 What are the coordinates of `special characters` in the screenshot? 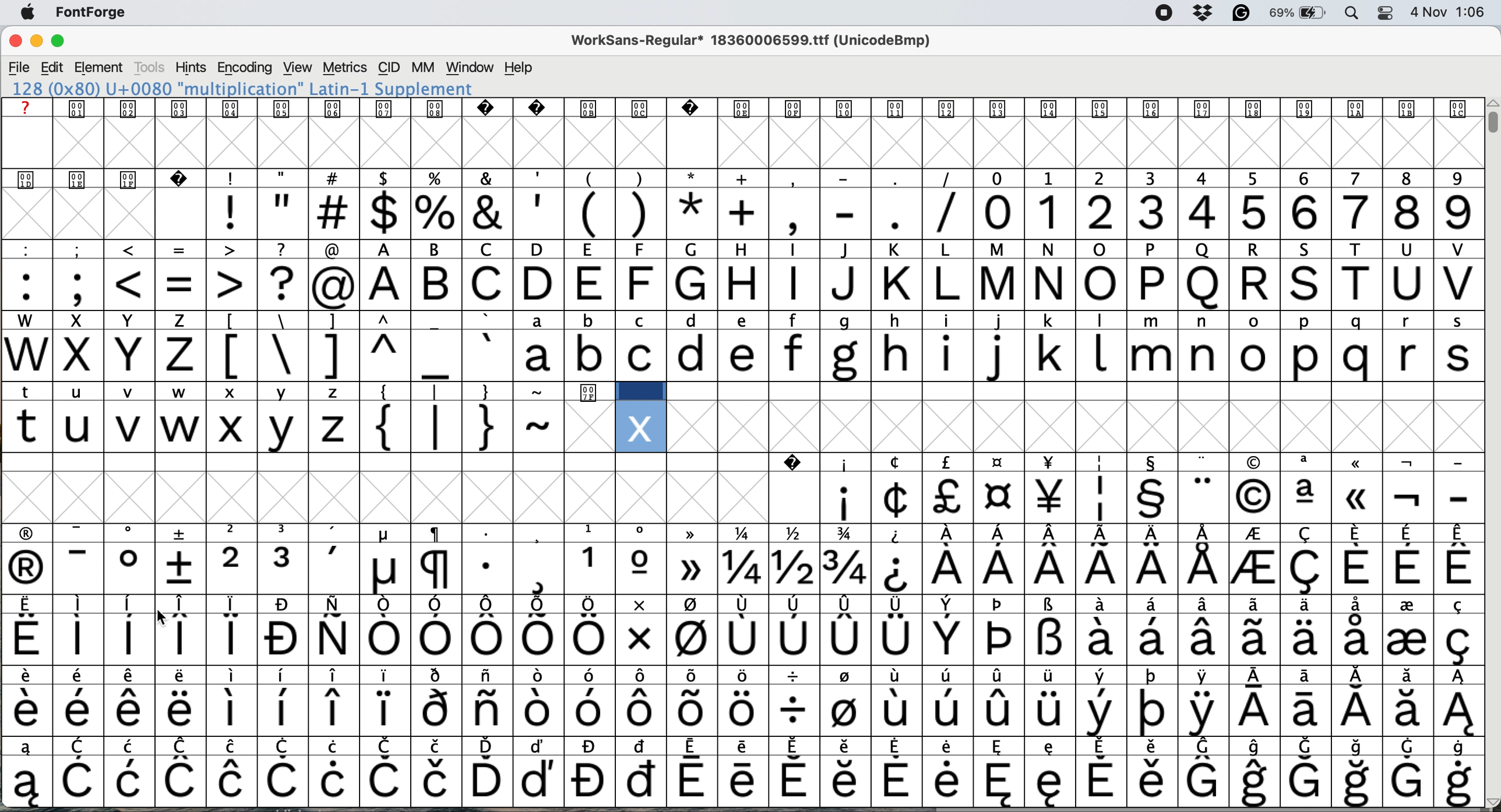 It's located at (737, 710).